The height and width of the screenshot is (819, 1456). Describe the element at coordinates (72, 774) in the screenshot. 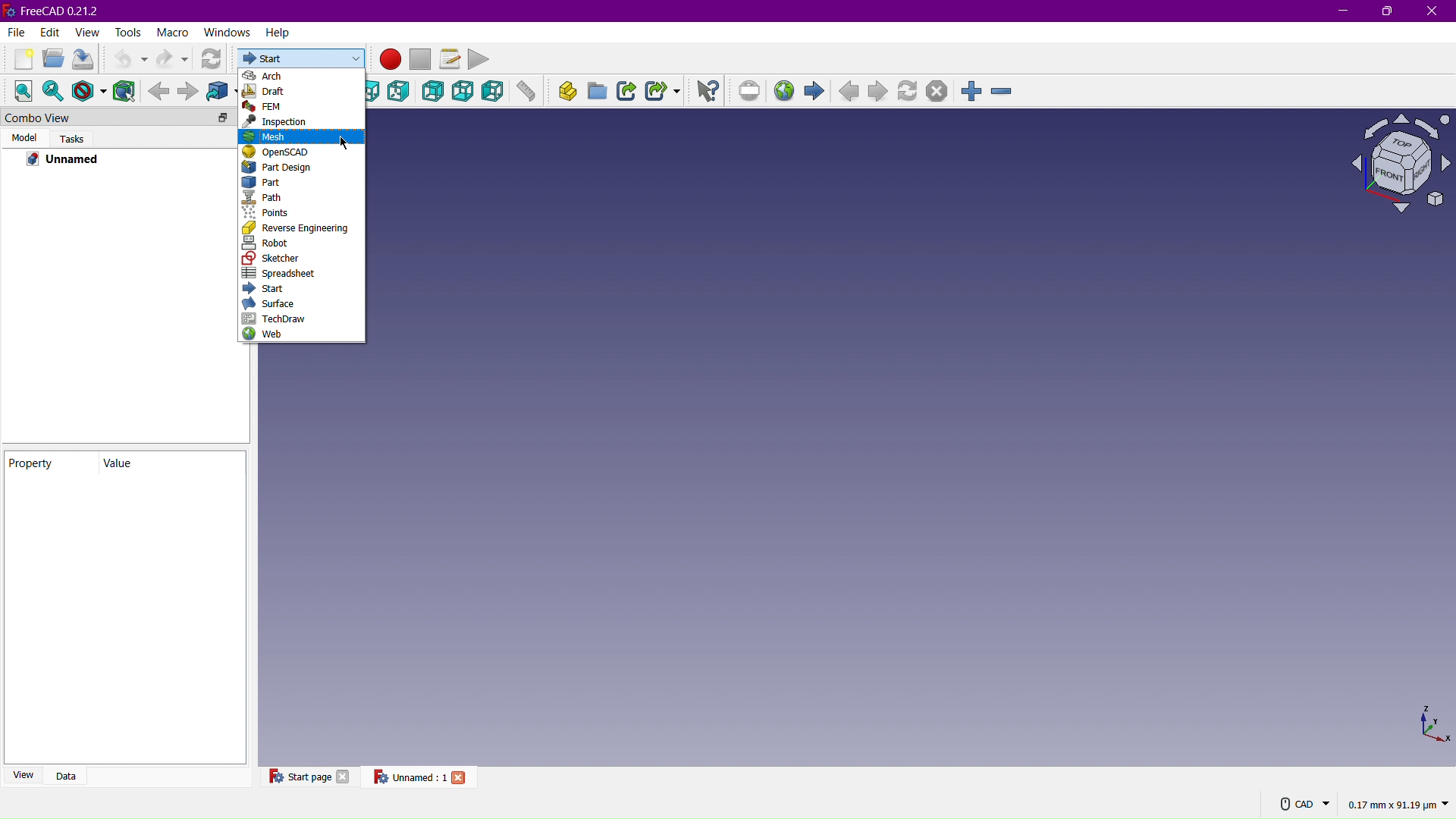

I see `Data` at that location.